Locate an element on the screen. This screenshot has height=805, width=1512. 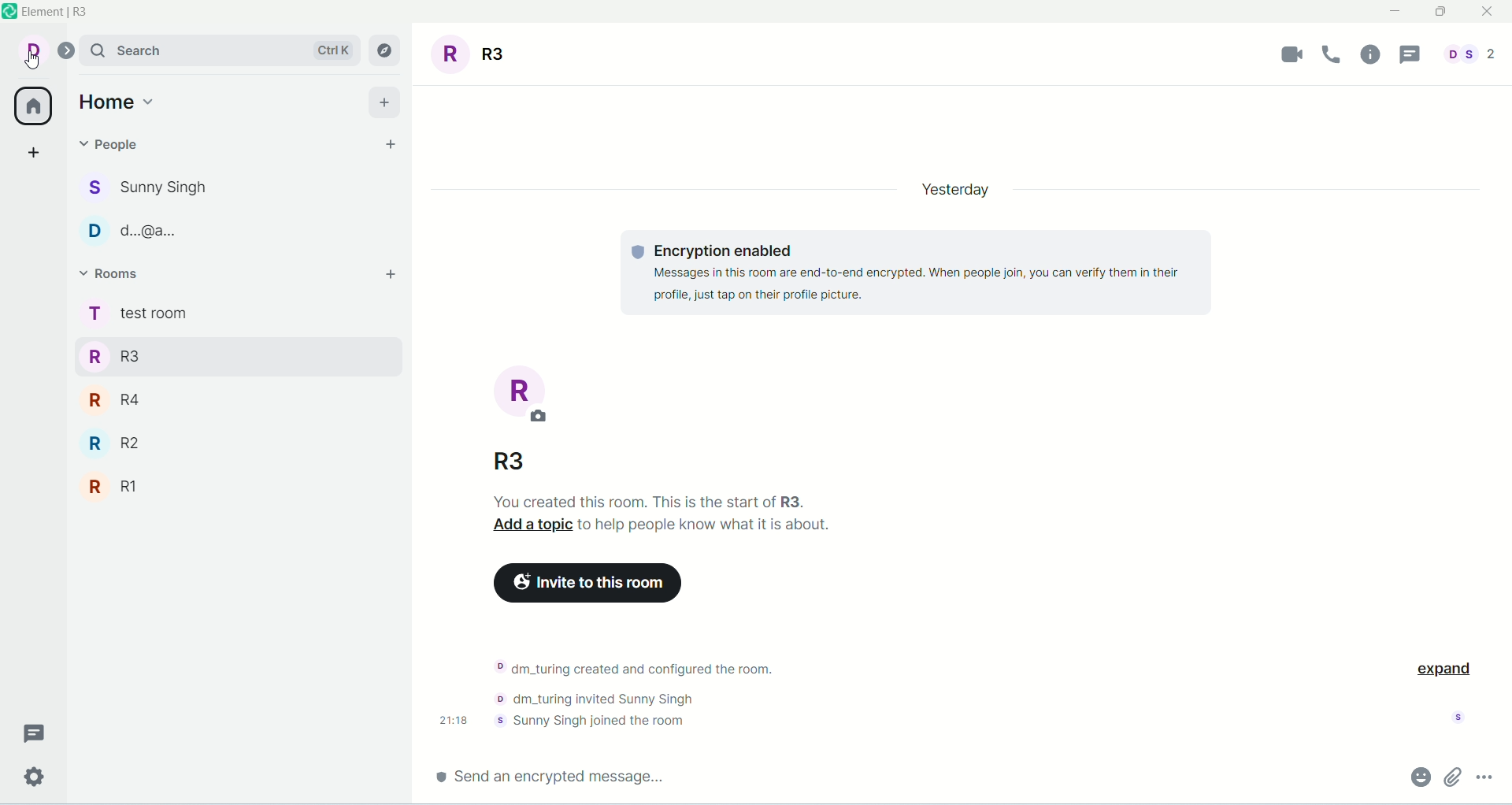
voice call is located at coordinates (1335, 54).